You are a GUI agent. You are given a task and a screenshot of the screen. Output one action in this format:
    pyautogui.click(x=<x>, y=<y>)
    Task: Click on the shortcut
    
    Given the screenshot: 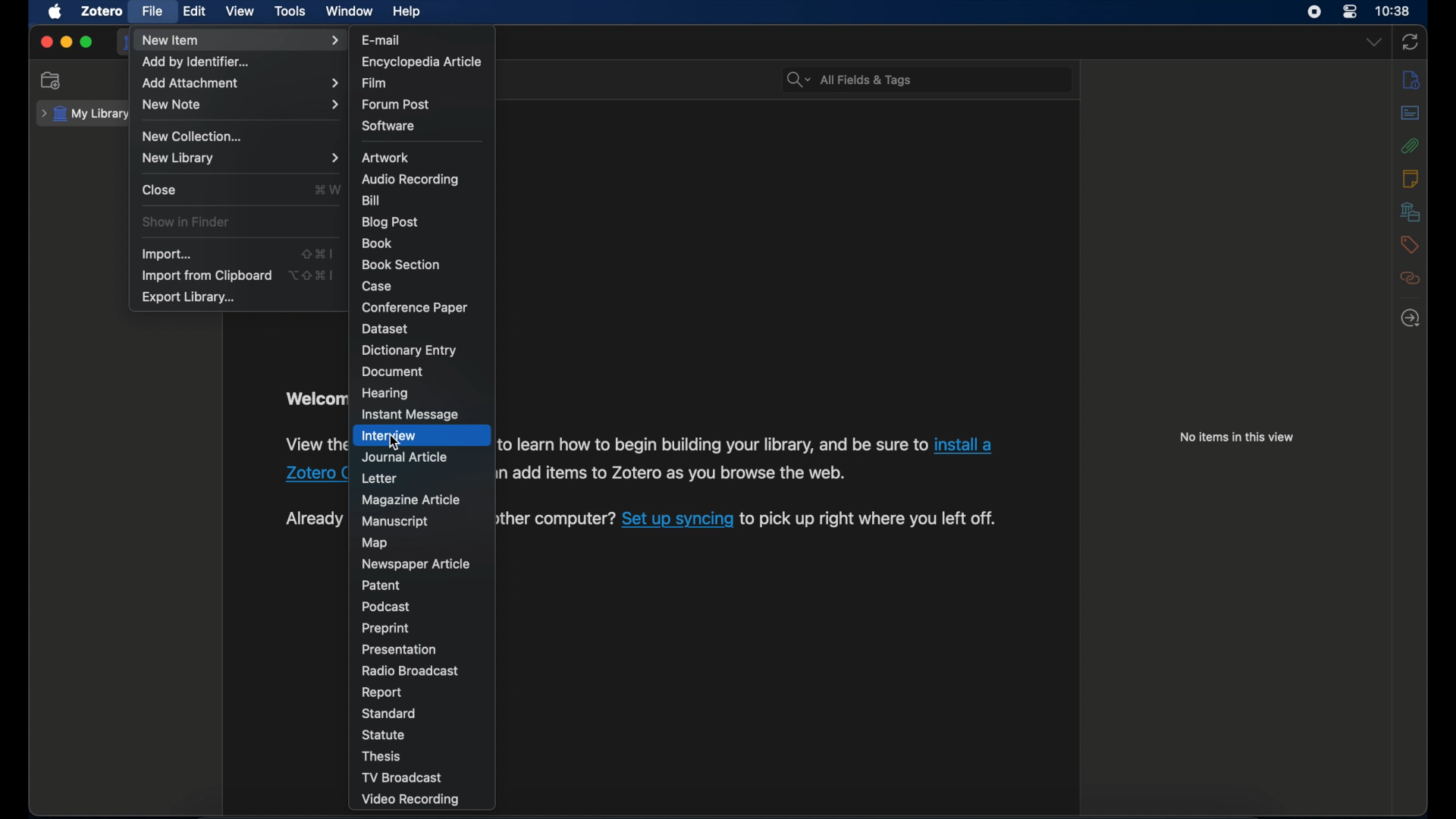 What is the action you would take?
    pyautogui.click(x=312, y=275)
    